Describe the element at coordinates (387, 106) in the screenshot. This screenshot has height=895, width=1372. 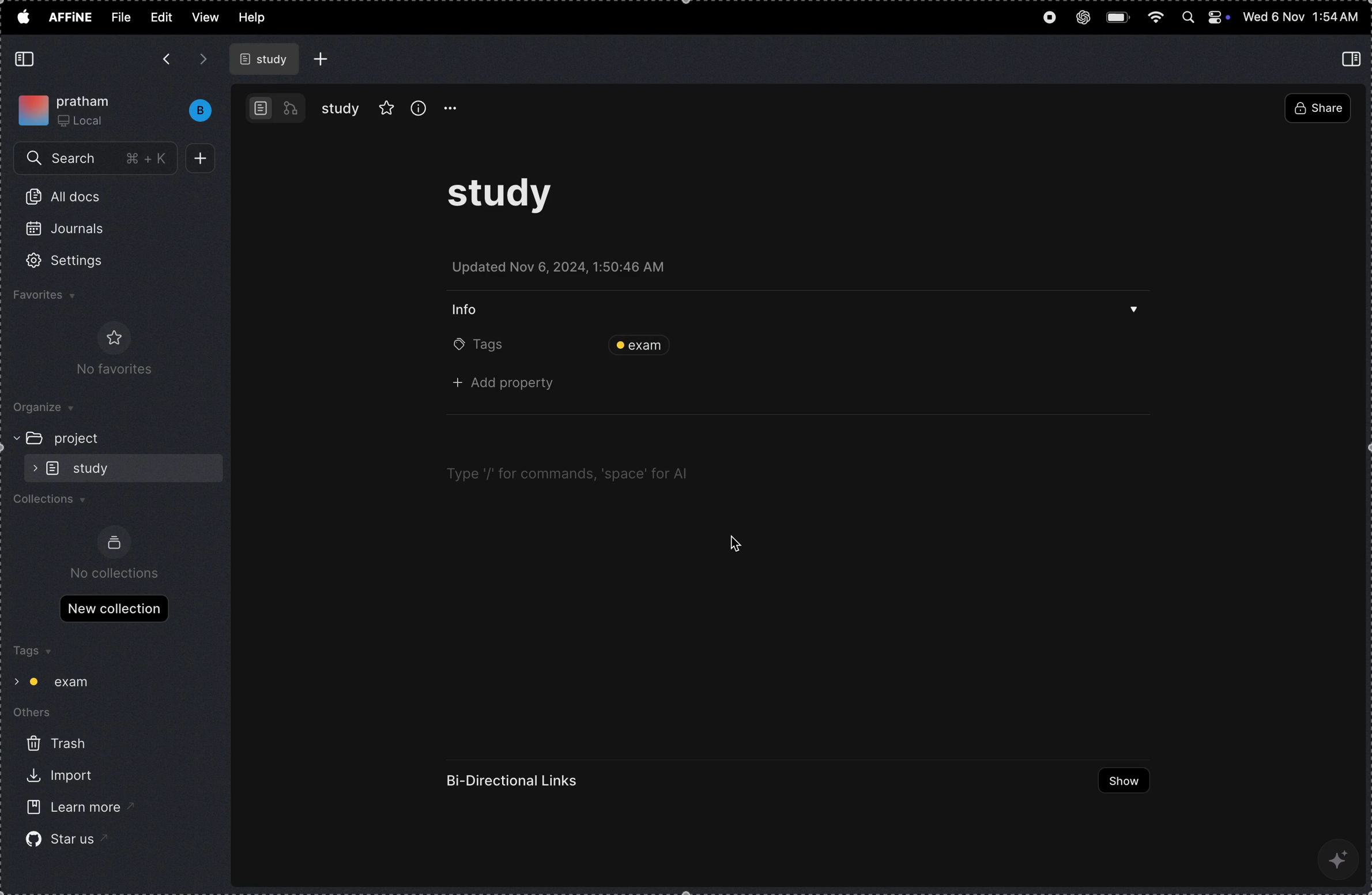
I see `favourites` at that location.